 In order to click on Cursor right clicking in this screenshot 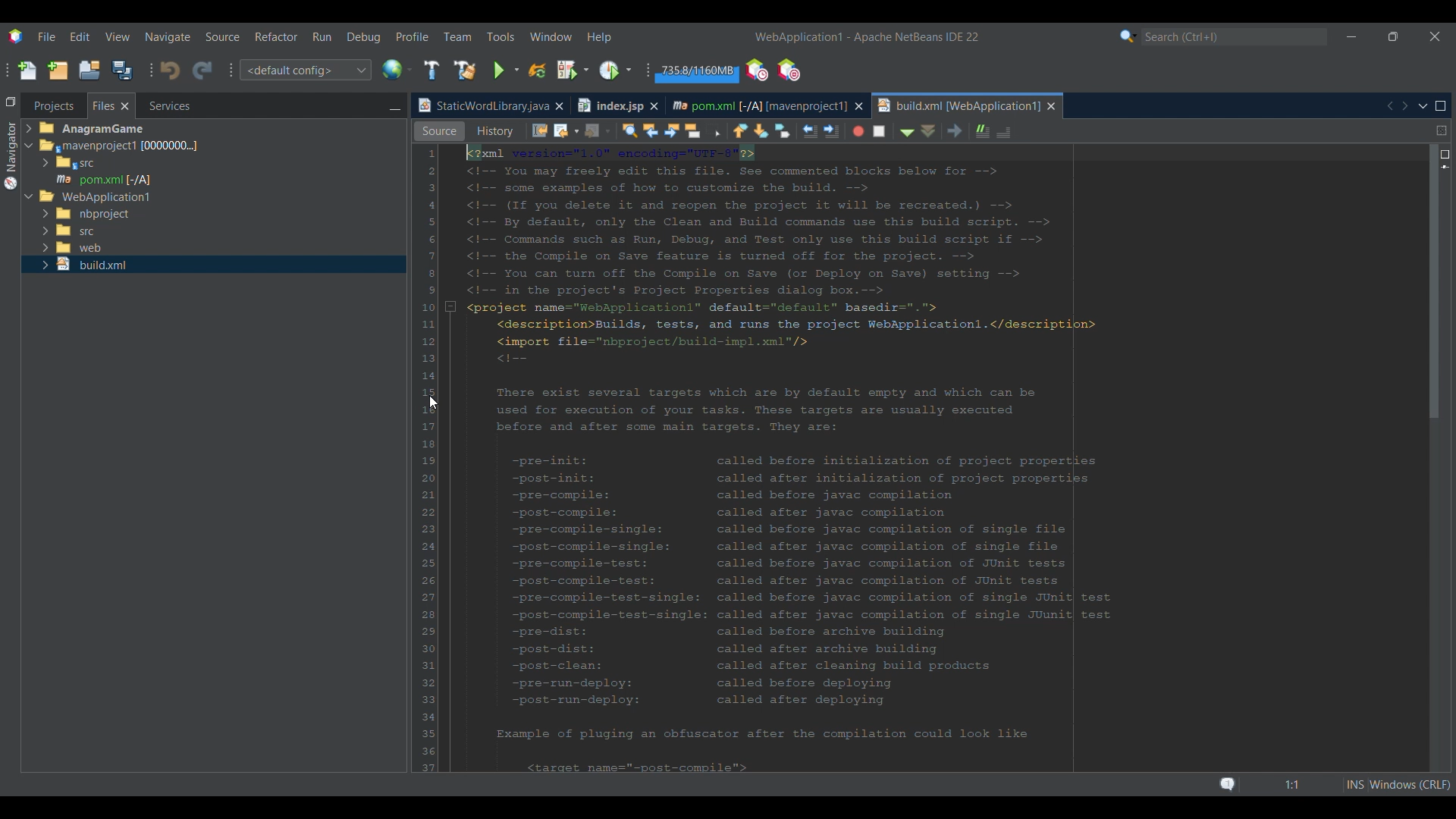, I will do `click(433, 403)`.